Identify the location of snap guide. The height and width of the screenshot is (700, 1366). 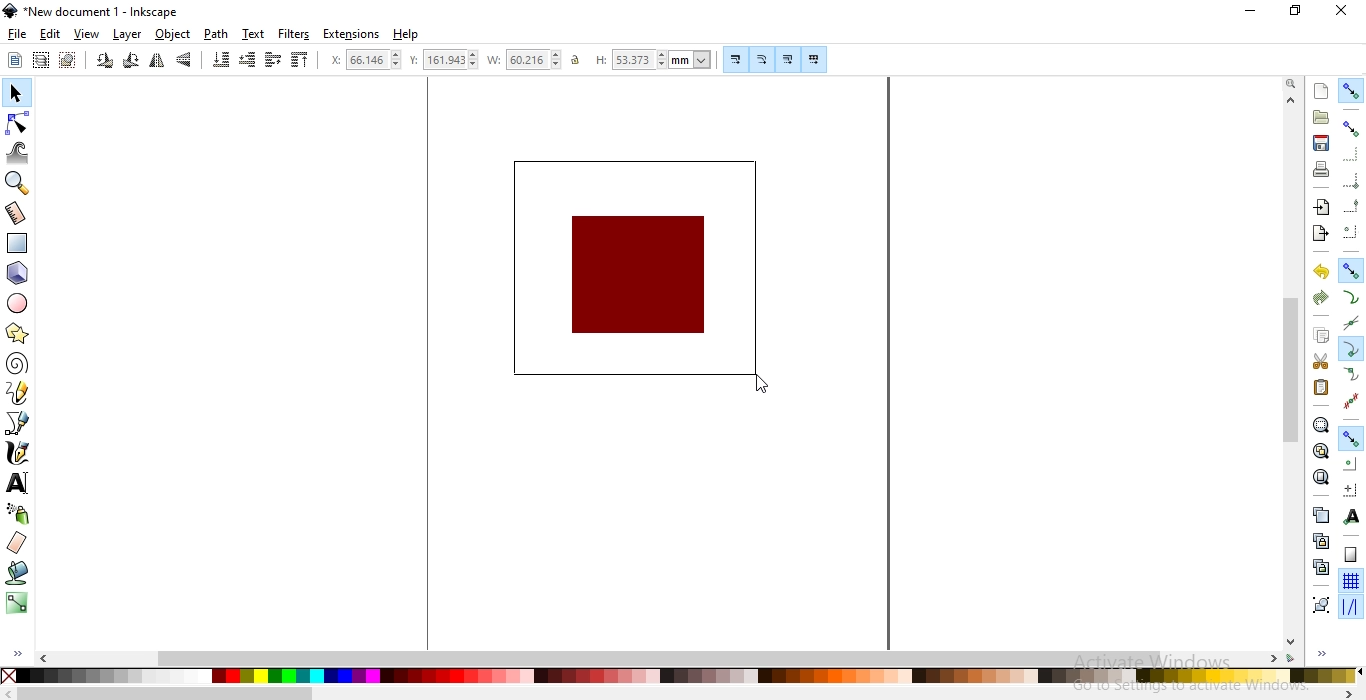
(1351, 607).